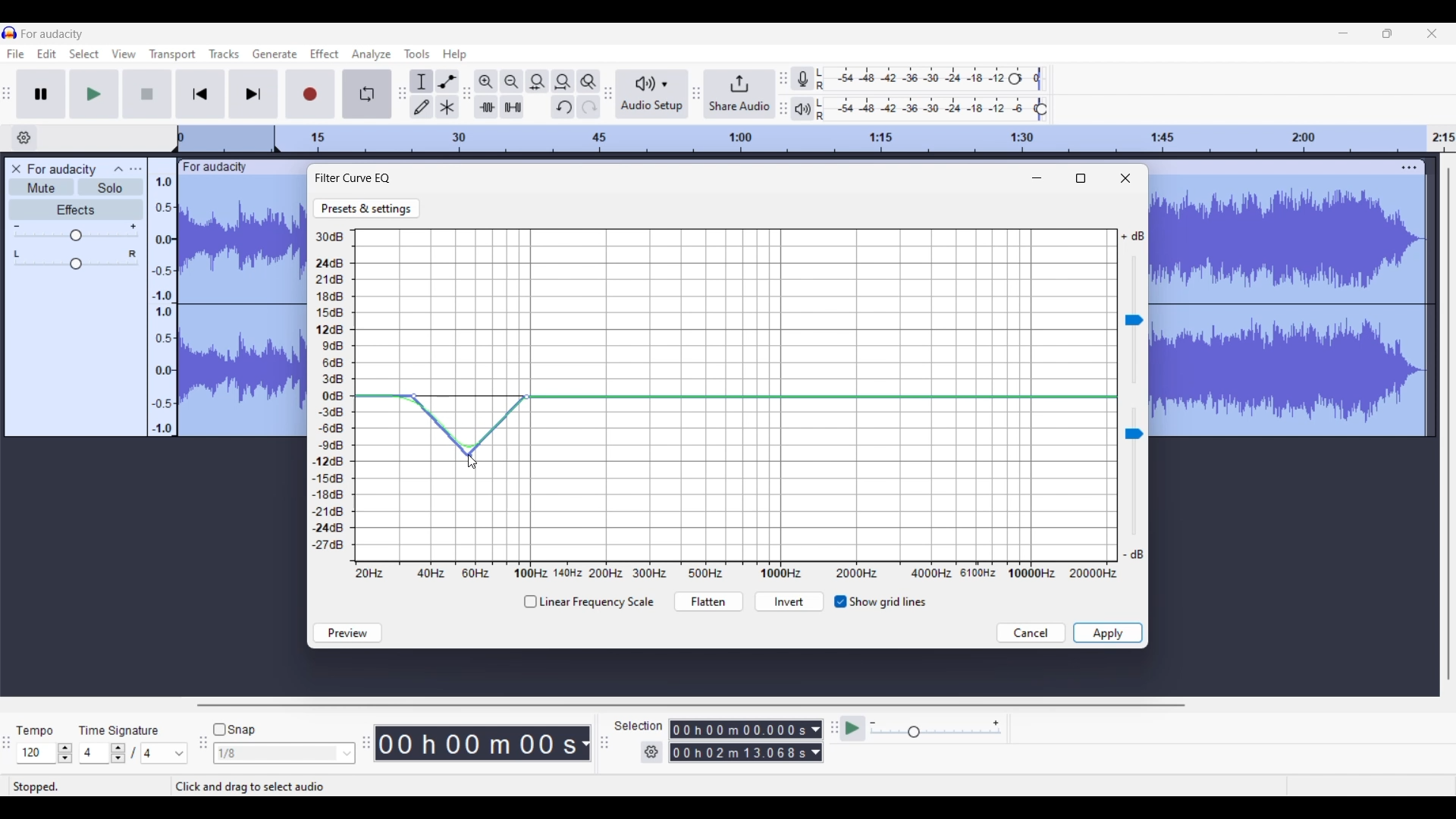  Describe the element at coordinates (62, 170) in the screenshot. I see `Audio track name` at that location.